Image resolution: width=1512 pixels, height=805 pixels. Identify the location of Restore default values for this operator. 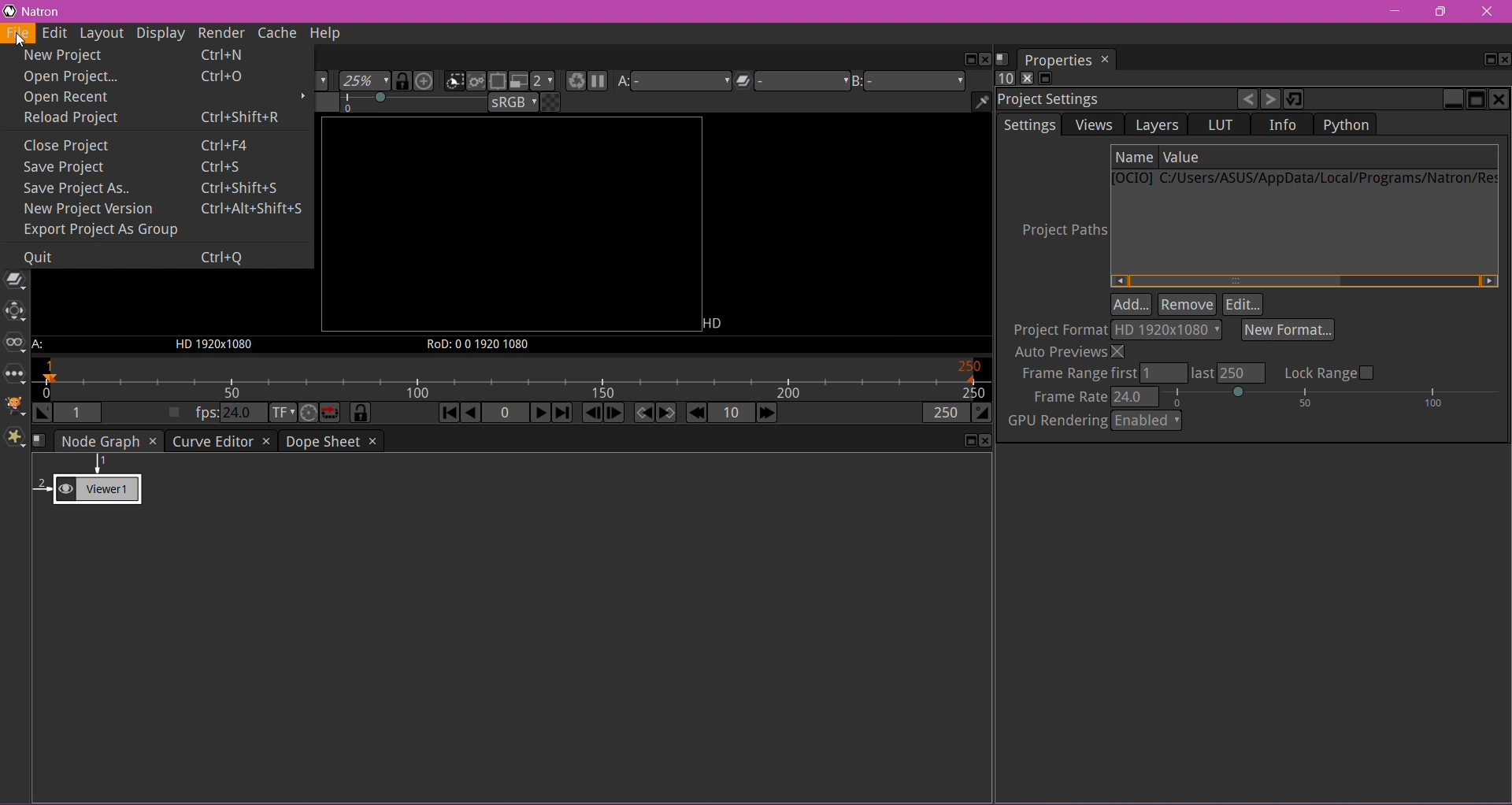
(1295, 98).